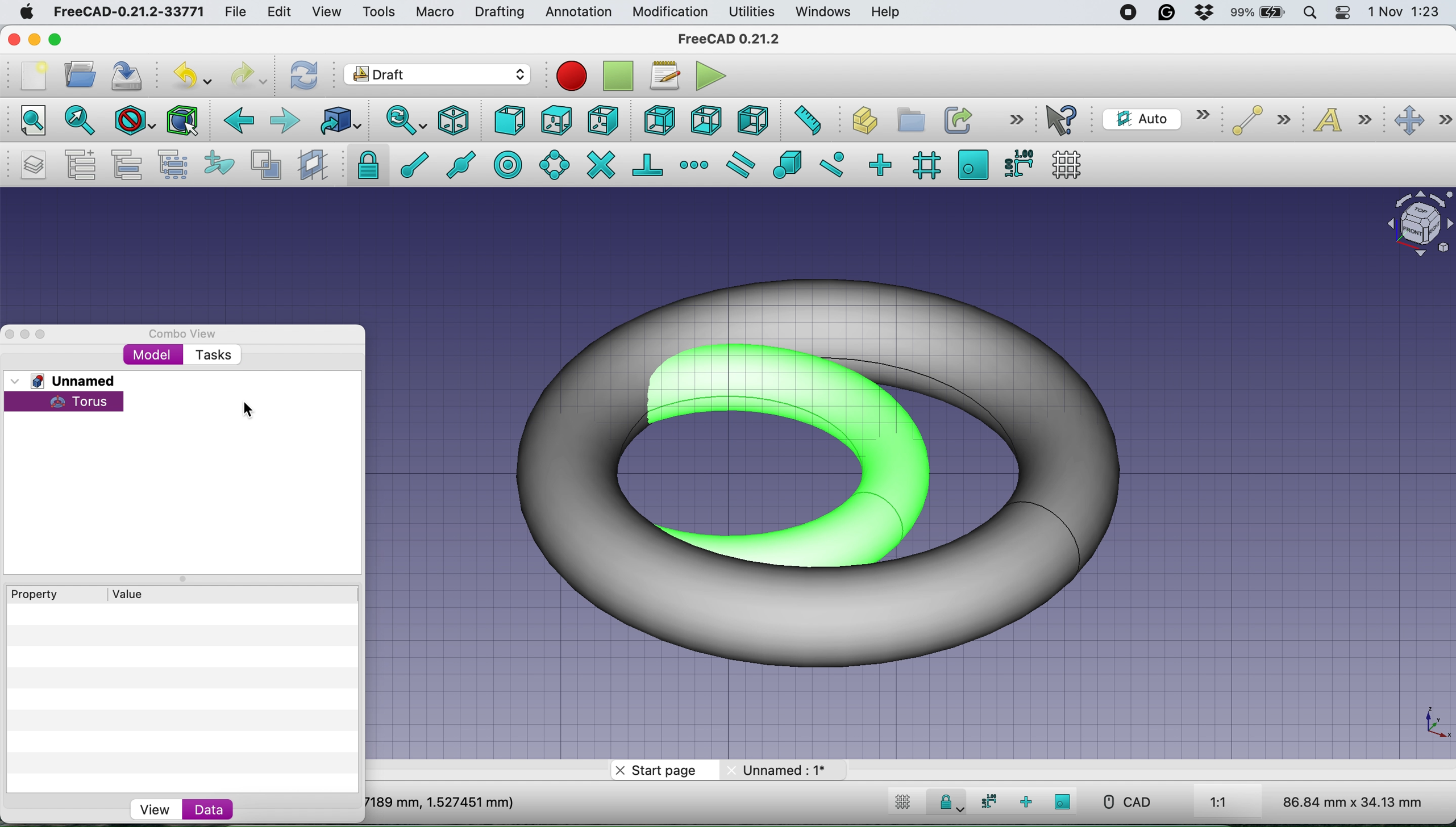 The height and width of the screenshot is (827, 1456). I want to click on Torus, so click(70, 402).